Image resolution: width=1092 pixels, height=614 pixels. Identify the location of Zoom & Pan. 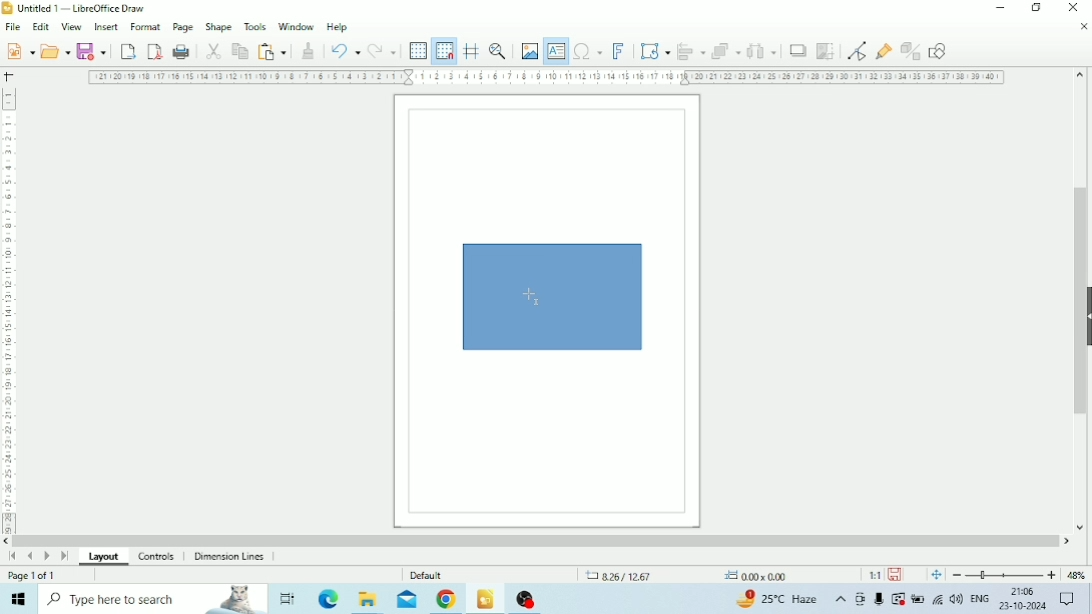
(498, 52).